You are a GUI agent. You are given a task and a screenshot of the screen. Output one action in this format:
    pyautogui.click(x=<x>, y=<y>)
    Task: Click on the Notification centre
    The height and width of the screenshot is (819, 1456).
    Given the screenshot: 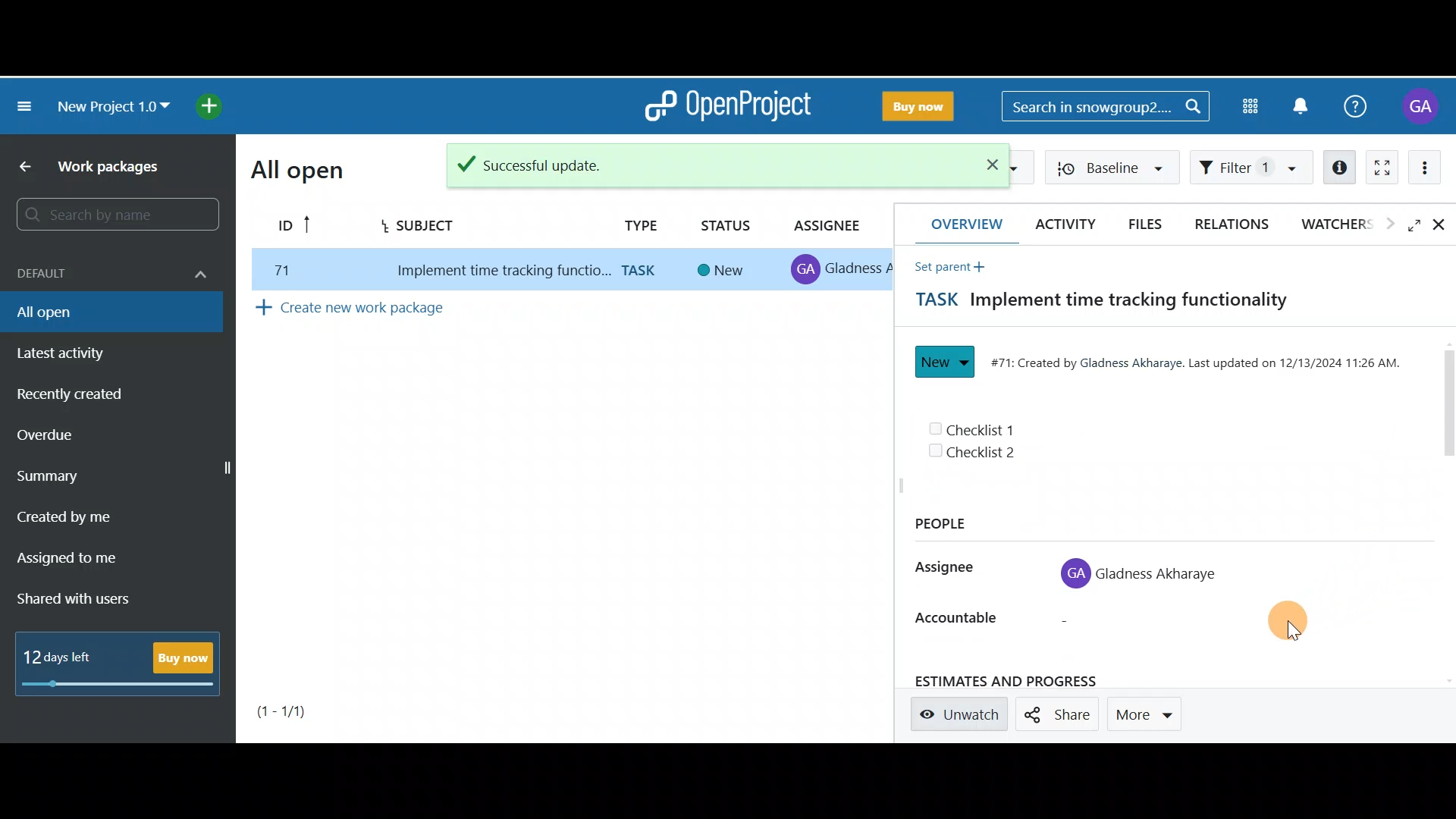 What is the action you would take?
    pyautogui.click(x=1310, y=105)
    